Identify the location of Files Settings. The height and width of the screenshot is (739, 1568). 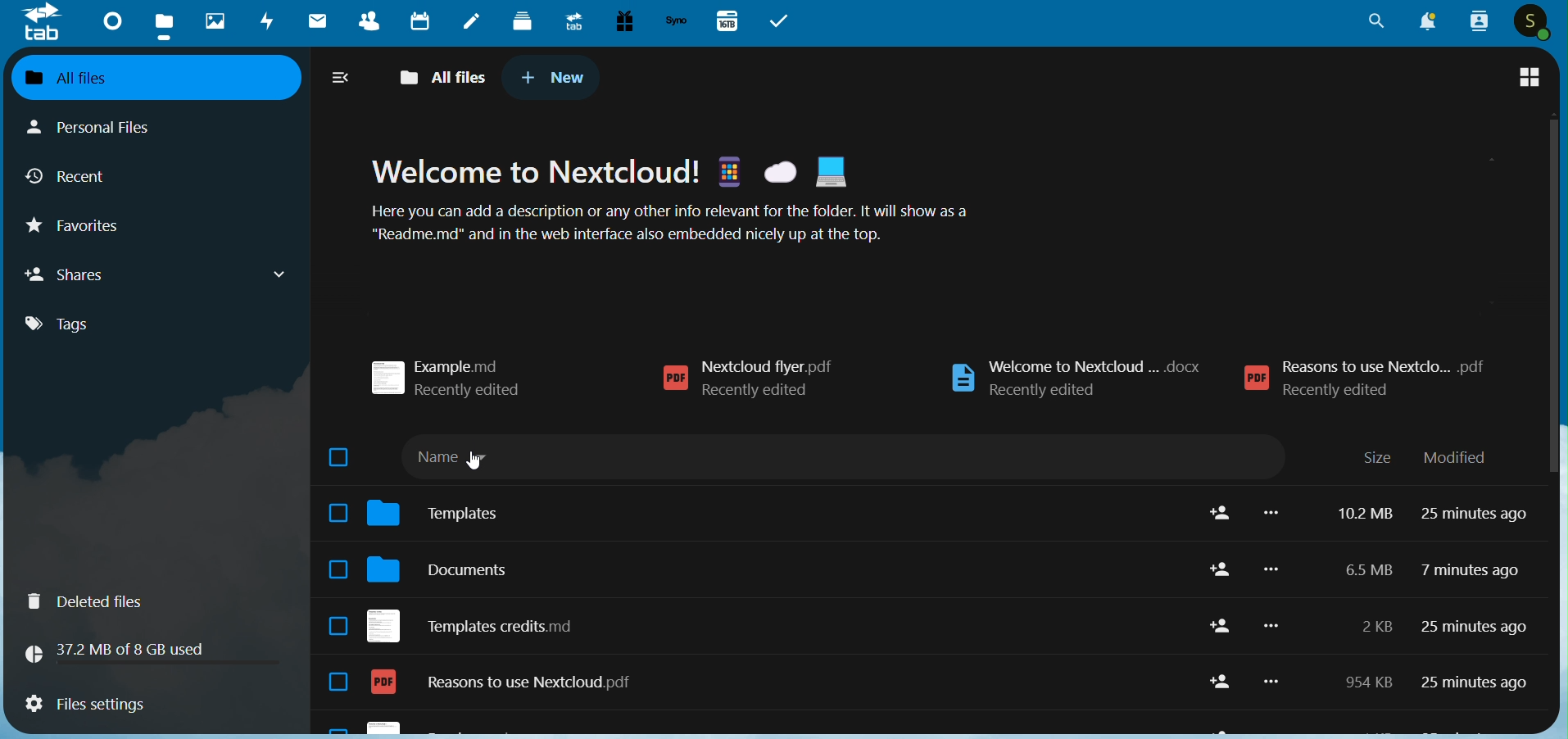
(135, 704).